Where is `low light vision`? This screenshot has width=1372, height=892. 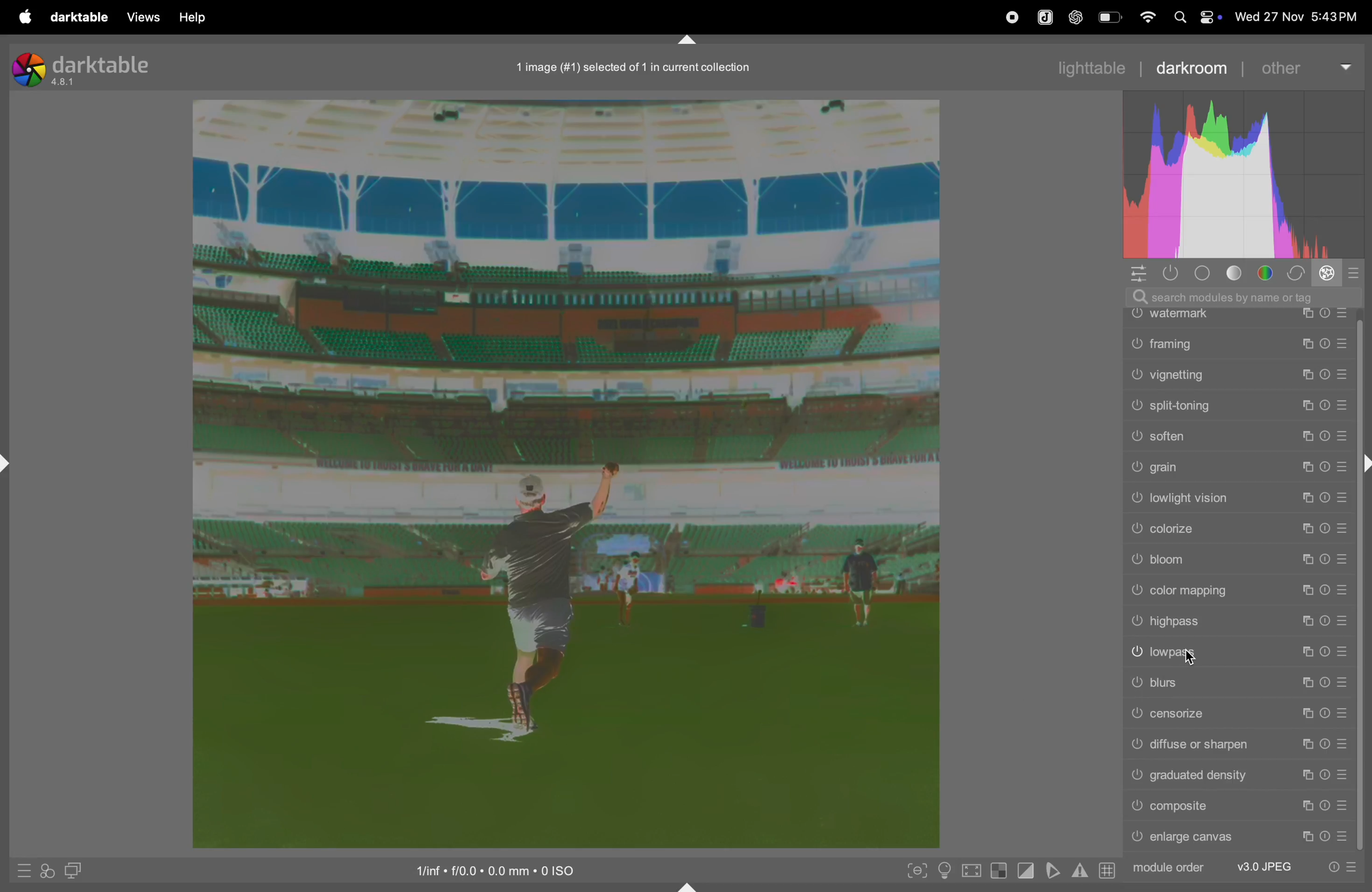 low light vision is located at coordinates (1238, 499).